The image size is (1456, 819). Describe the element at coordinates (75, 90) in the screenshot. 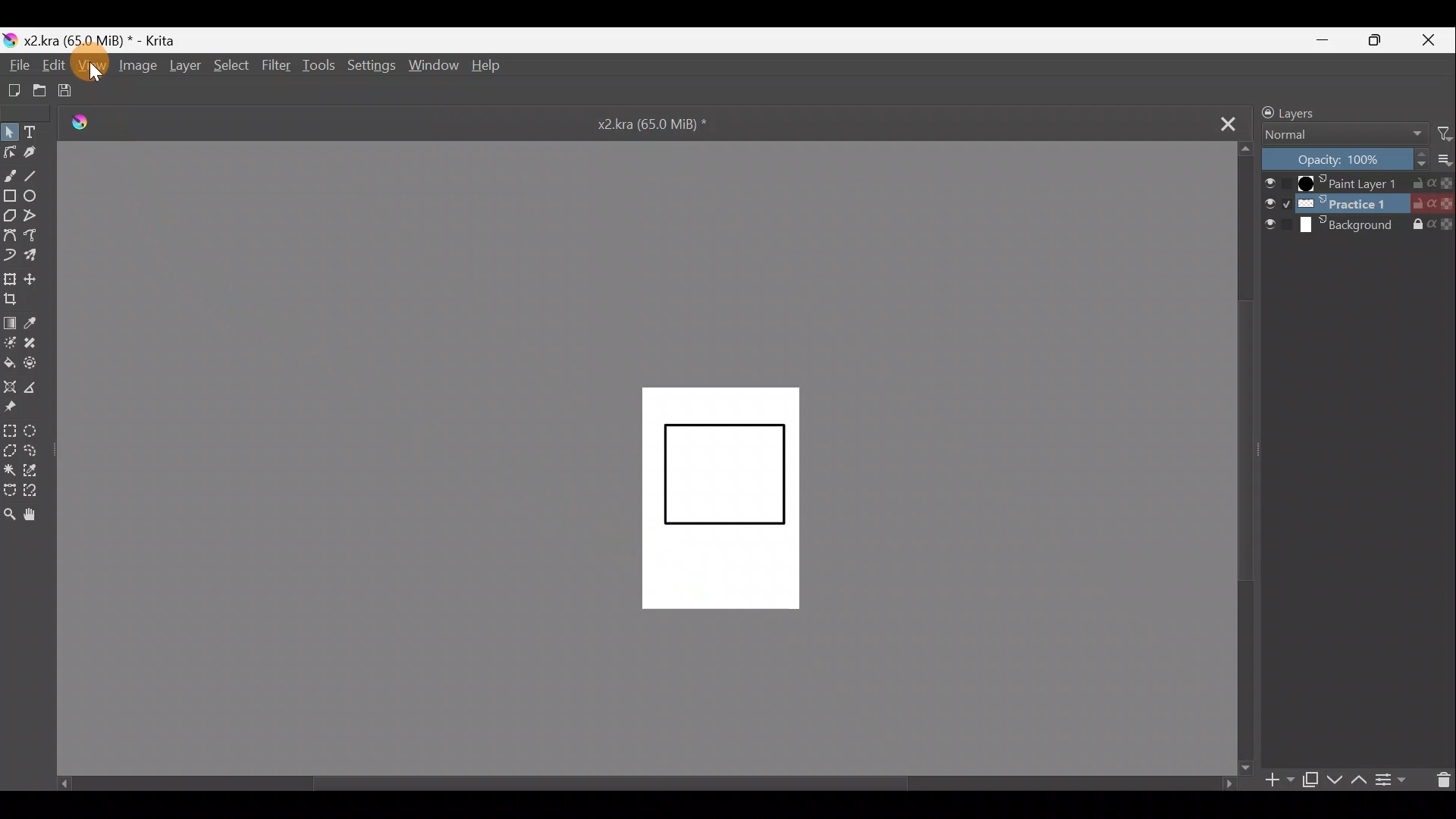

I see `Save` at that location.